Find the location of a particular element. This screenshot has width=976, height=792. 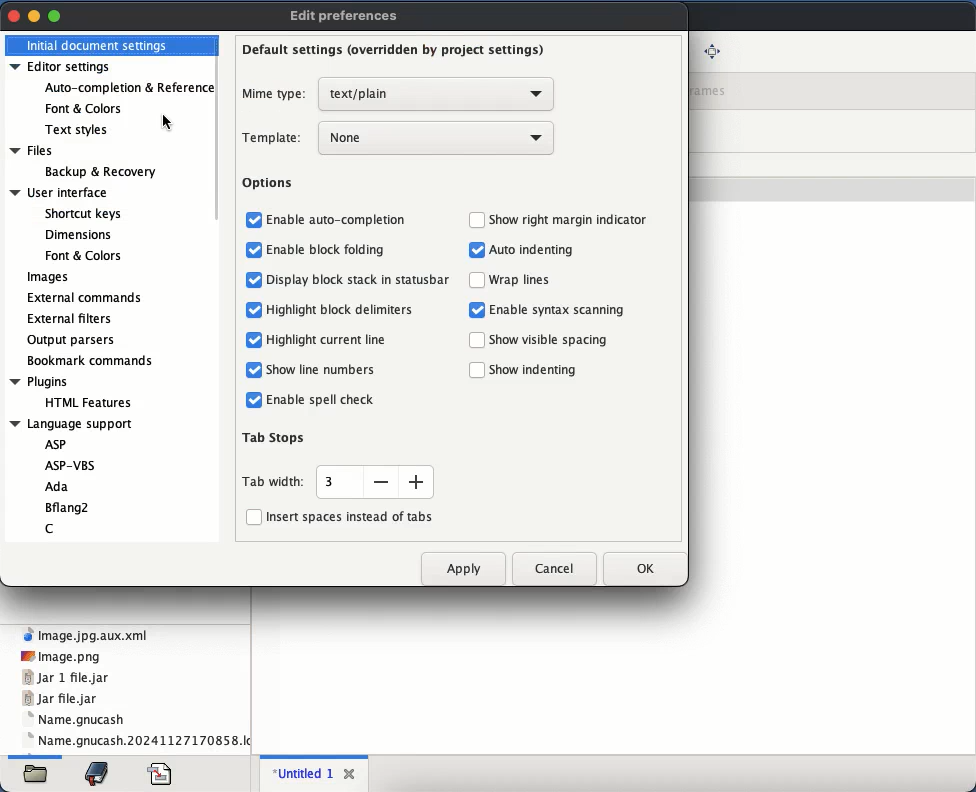

HTML Features is located at coordinates (88, 402).